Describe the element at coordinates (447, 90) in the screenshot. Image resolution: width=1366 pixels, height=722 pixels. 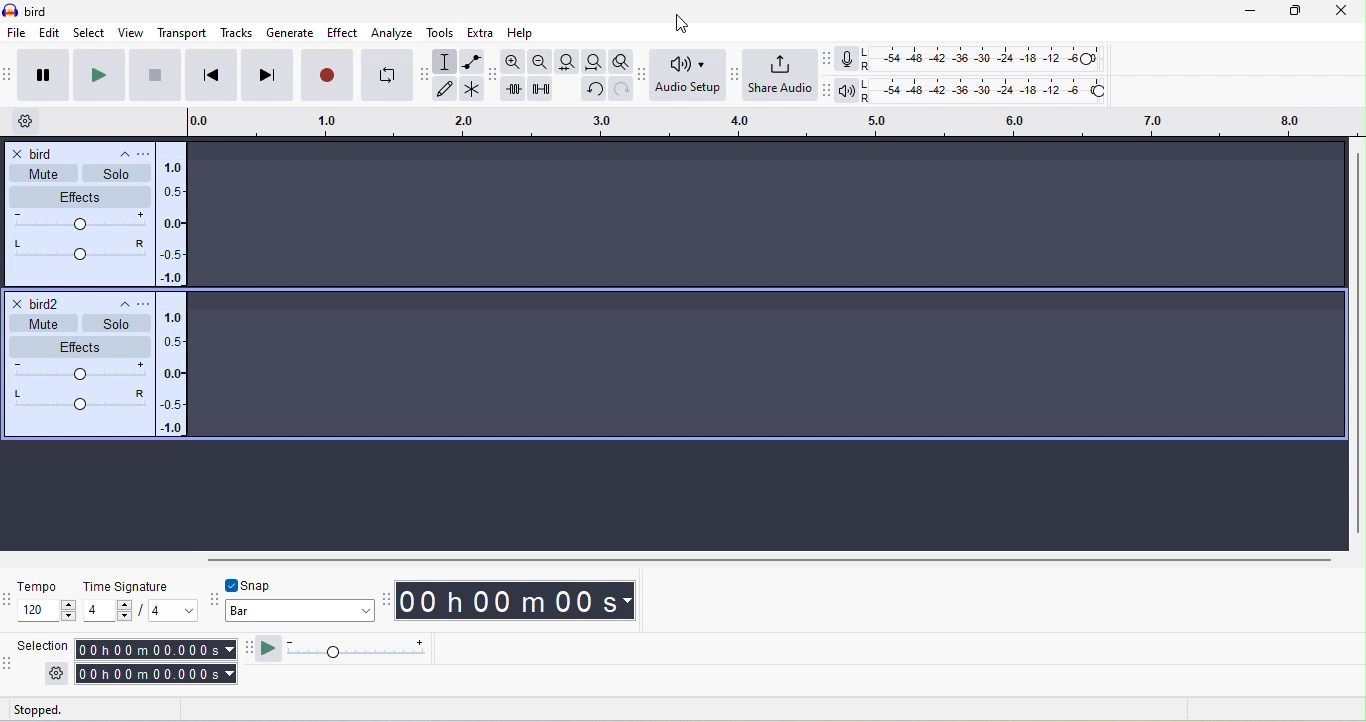
I see `draw tool` at that location.